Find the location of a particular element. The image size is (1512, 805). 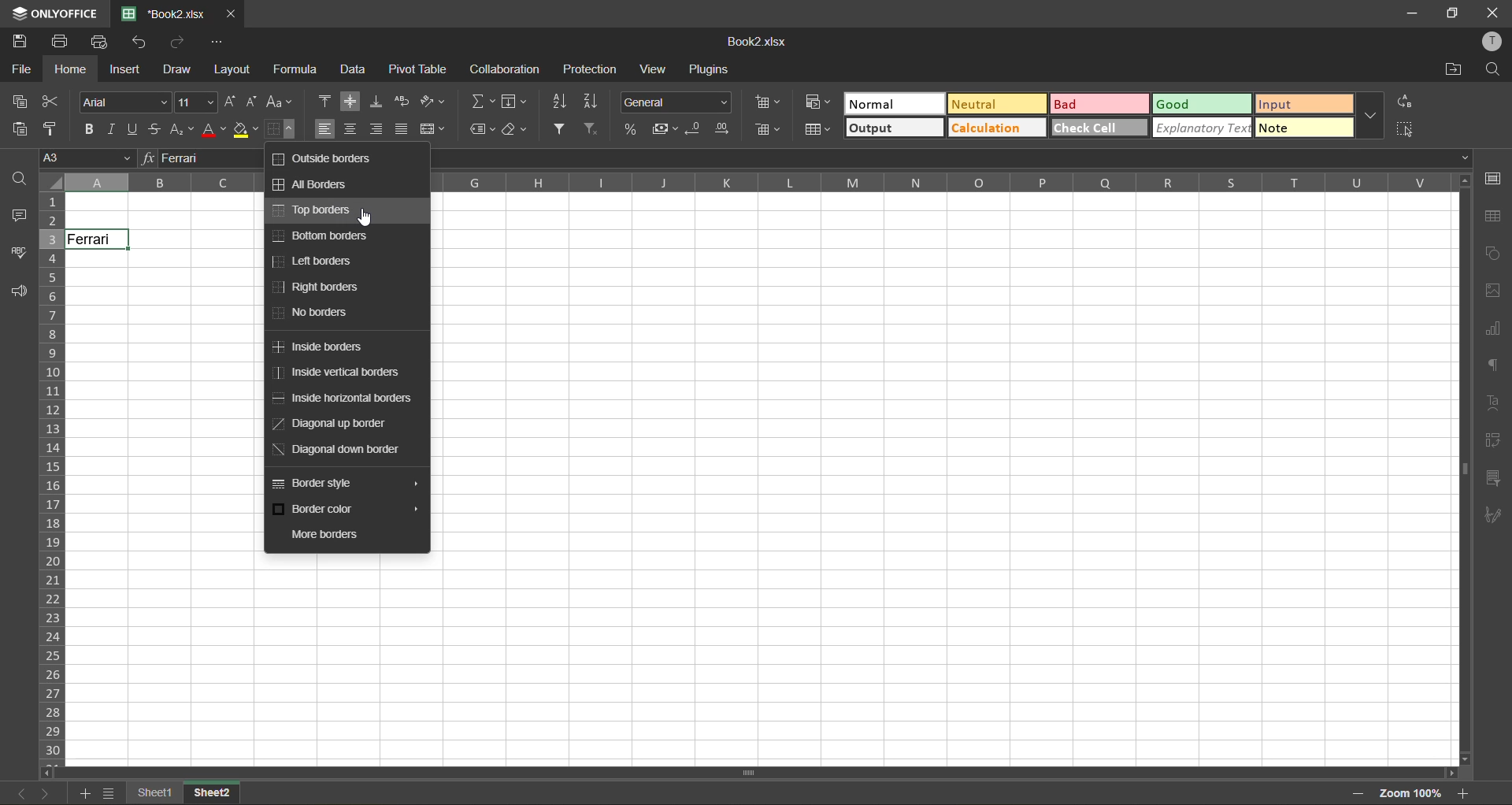

minimize is located at coordinates (1413, 12).